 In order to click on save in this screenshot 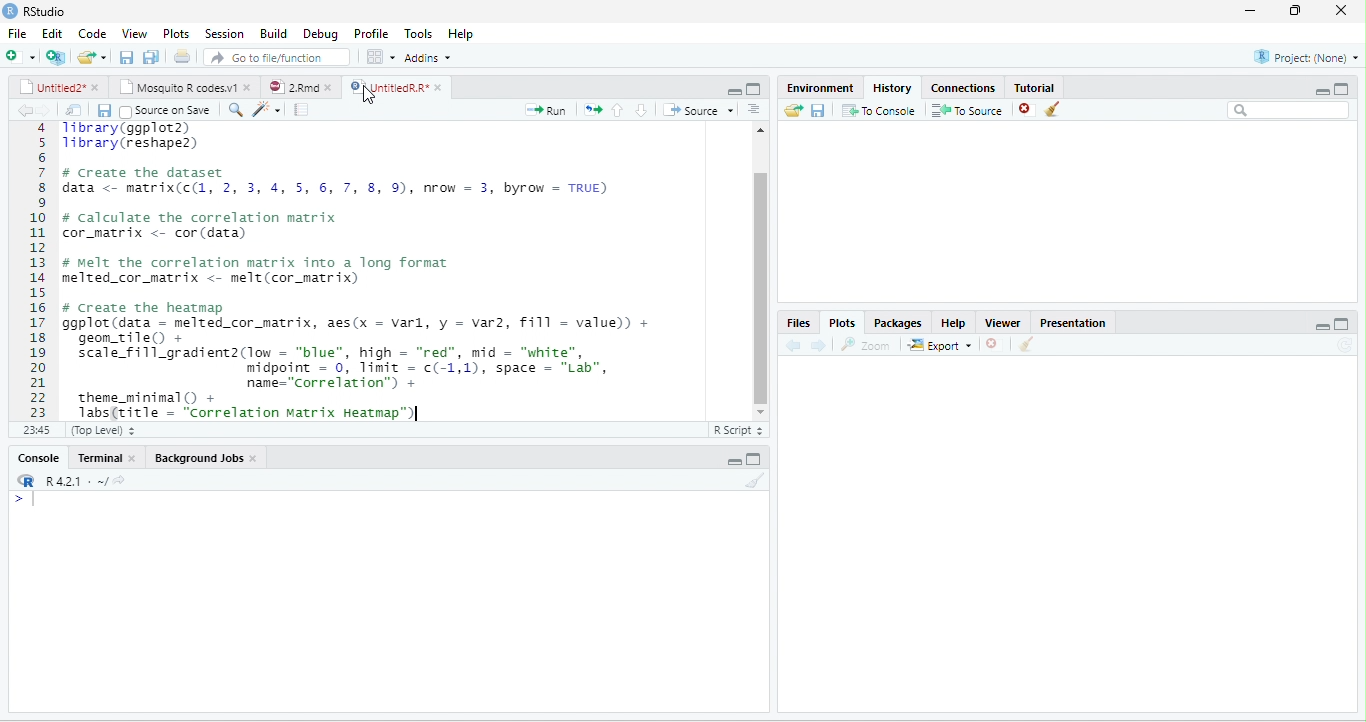, I will do `click(98, 110)`.